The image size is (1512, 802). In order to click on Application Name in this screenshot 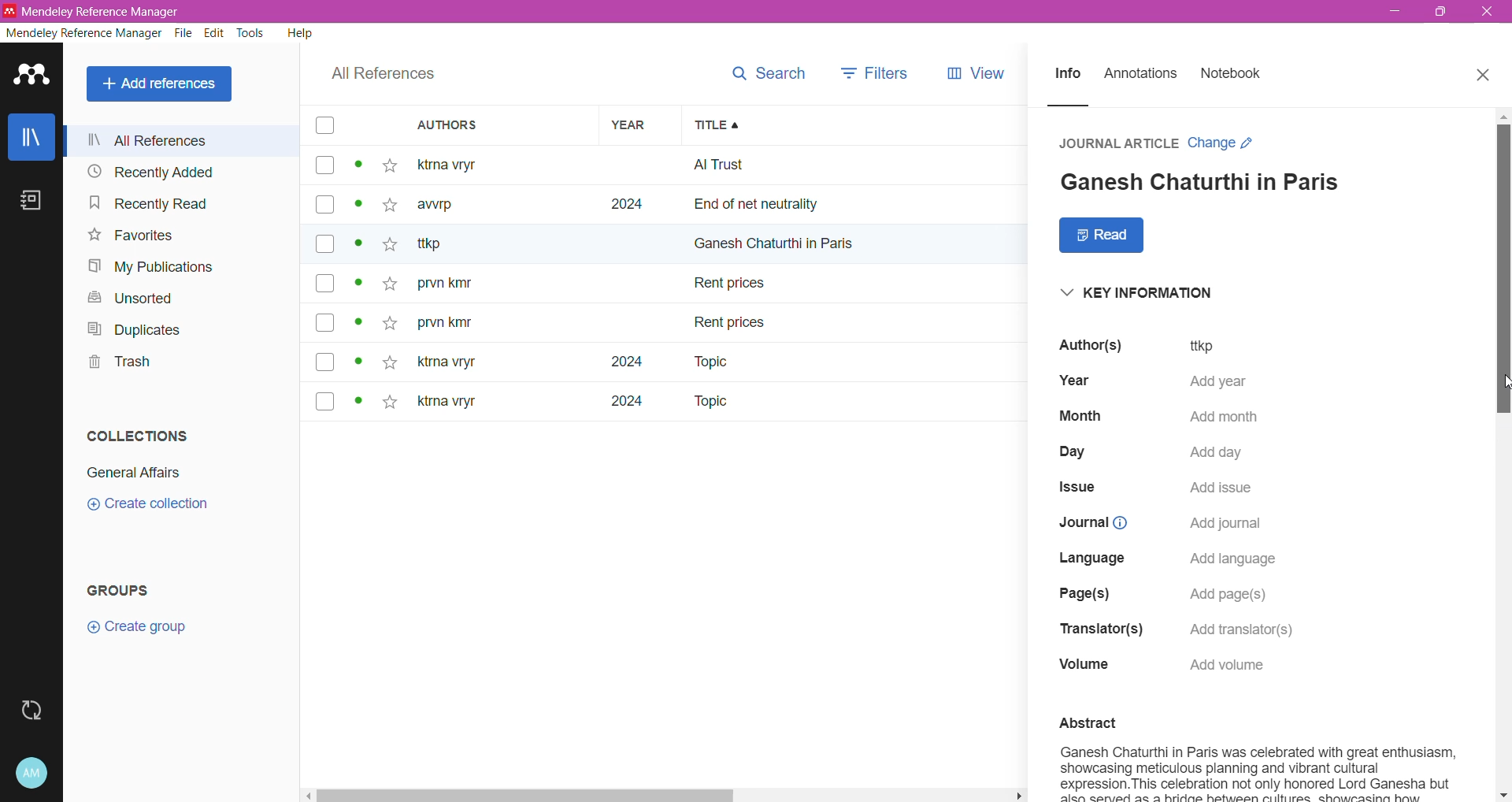, I will do `click(94, 11)`.